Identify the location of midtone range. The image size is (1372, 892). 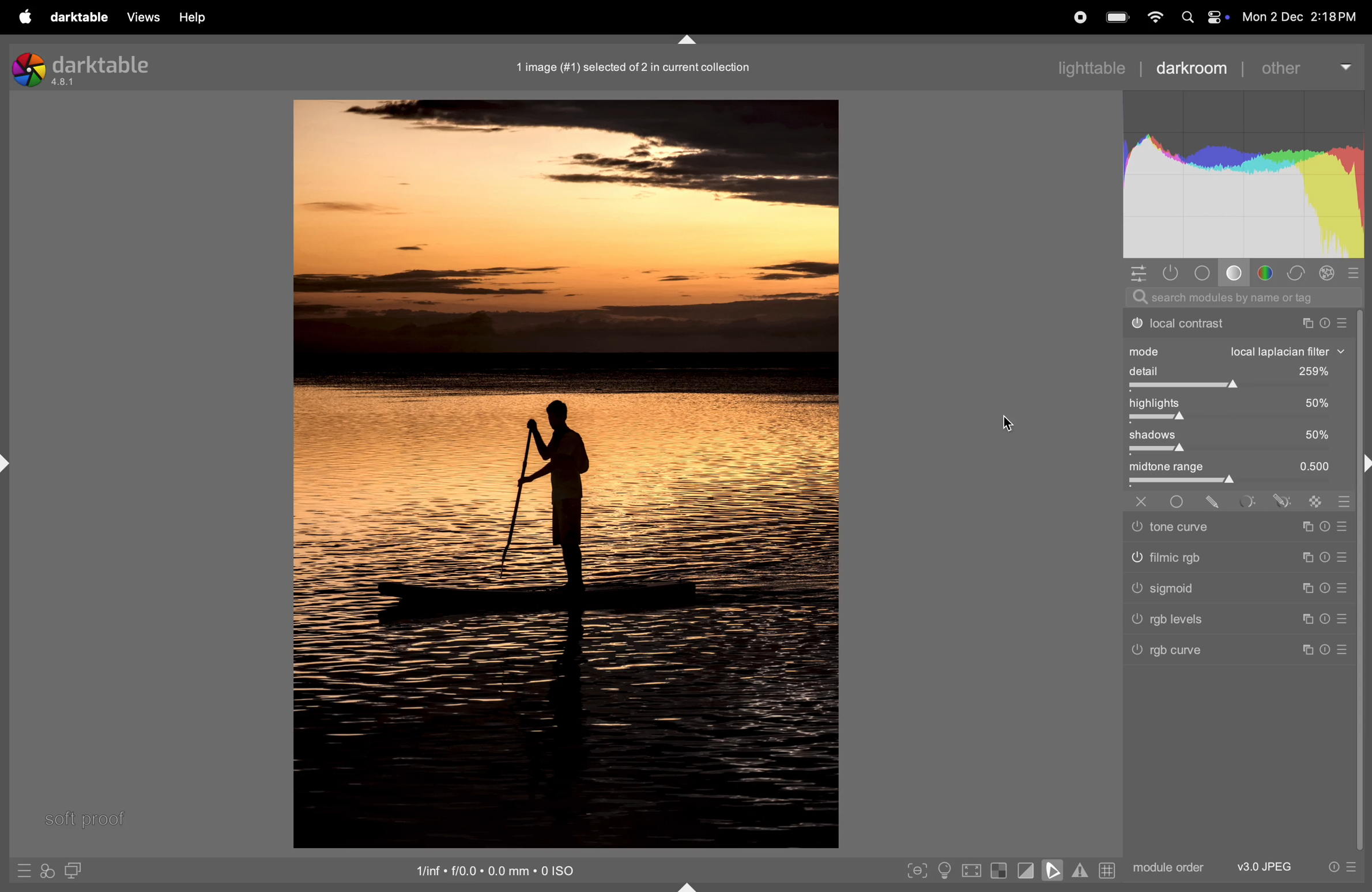
(1239, 467).